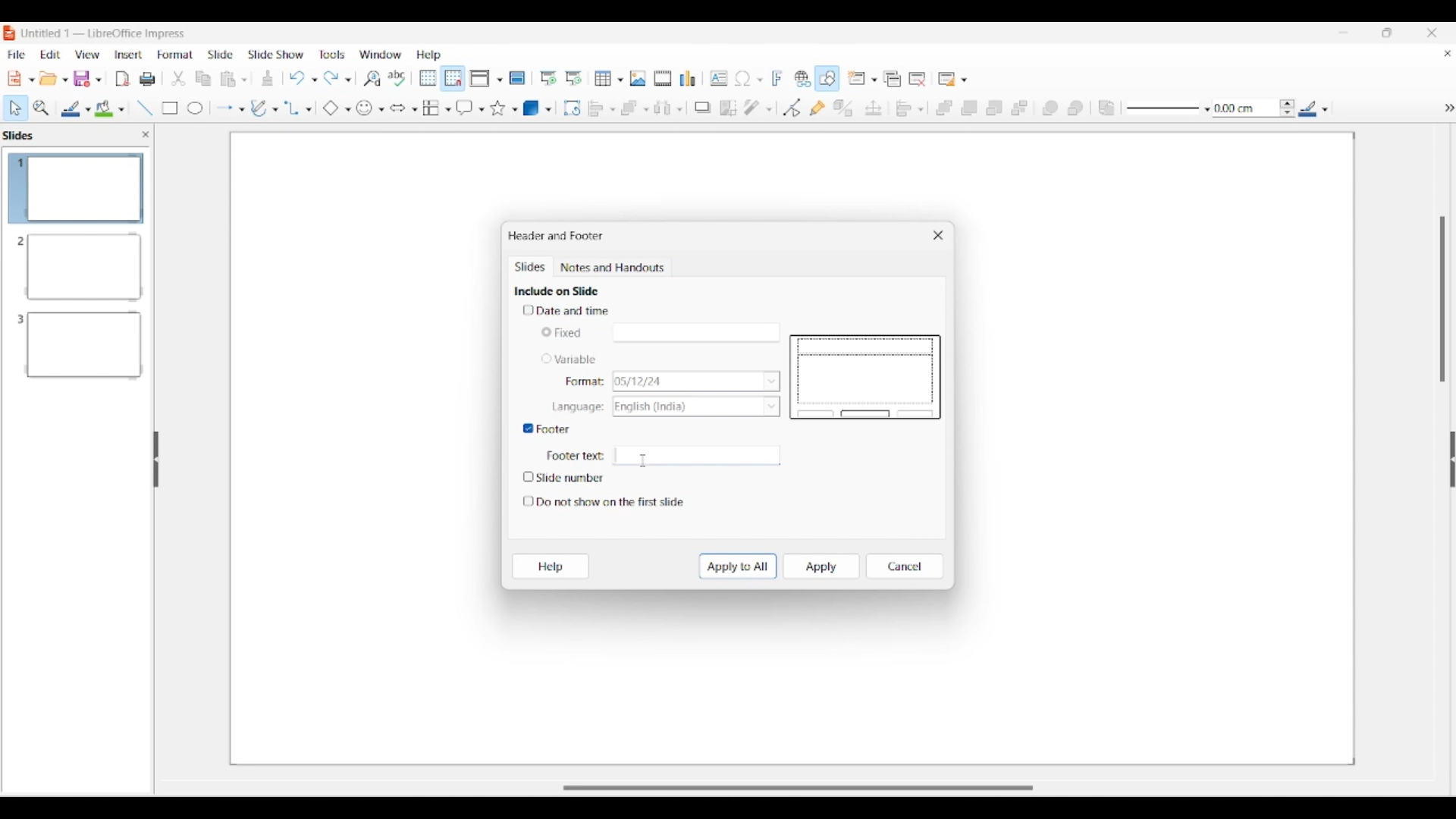  I want to click on Window title, so click(556, 236).